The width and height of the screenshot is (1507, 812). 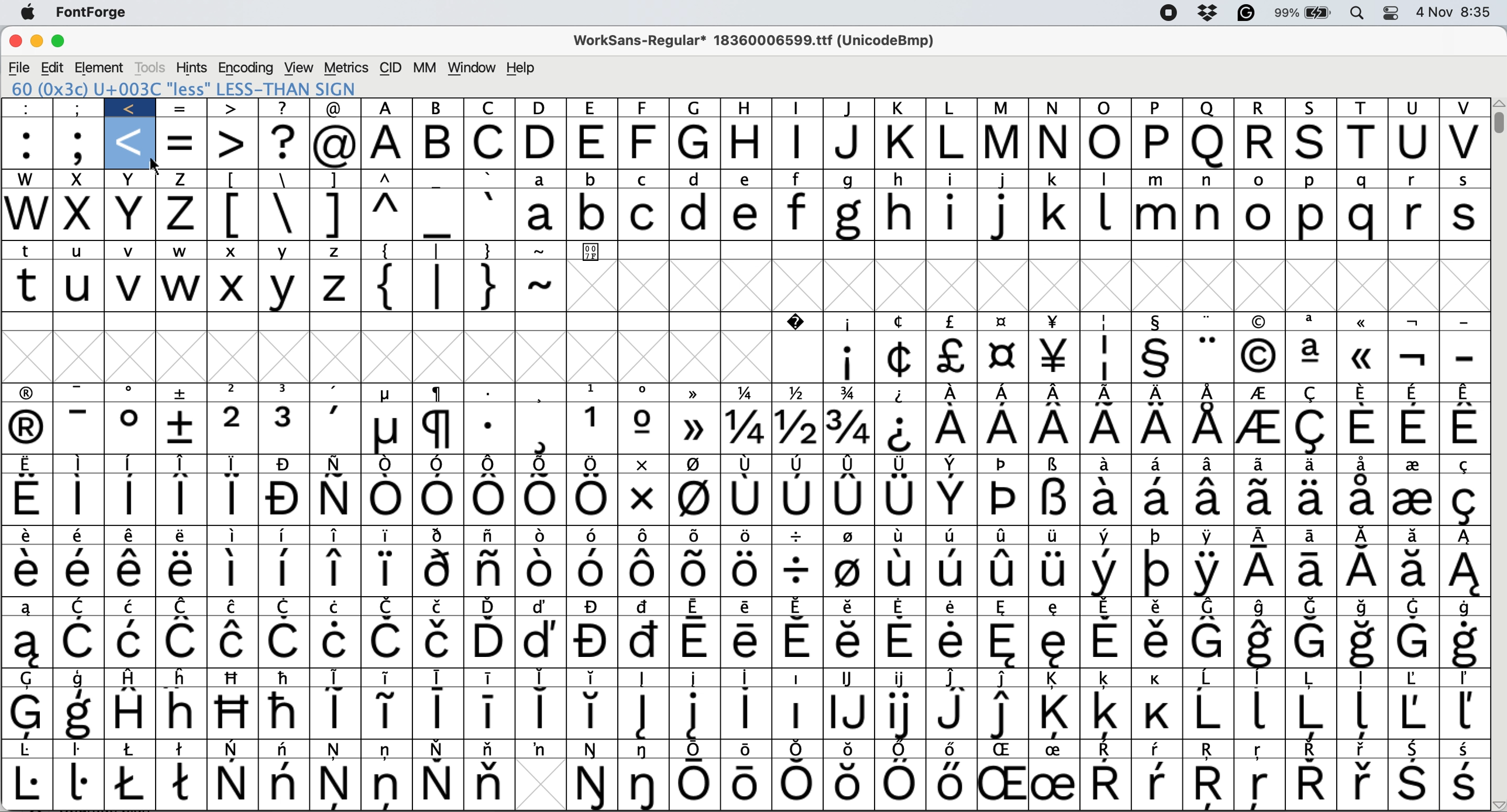 What do you see at coordinates (1262, 608) in the screenshot?
I see `Symbol` at bounding box center [1262, 608].